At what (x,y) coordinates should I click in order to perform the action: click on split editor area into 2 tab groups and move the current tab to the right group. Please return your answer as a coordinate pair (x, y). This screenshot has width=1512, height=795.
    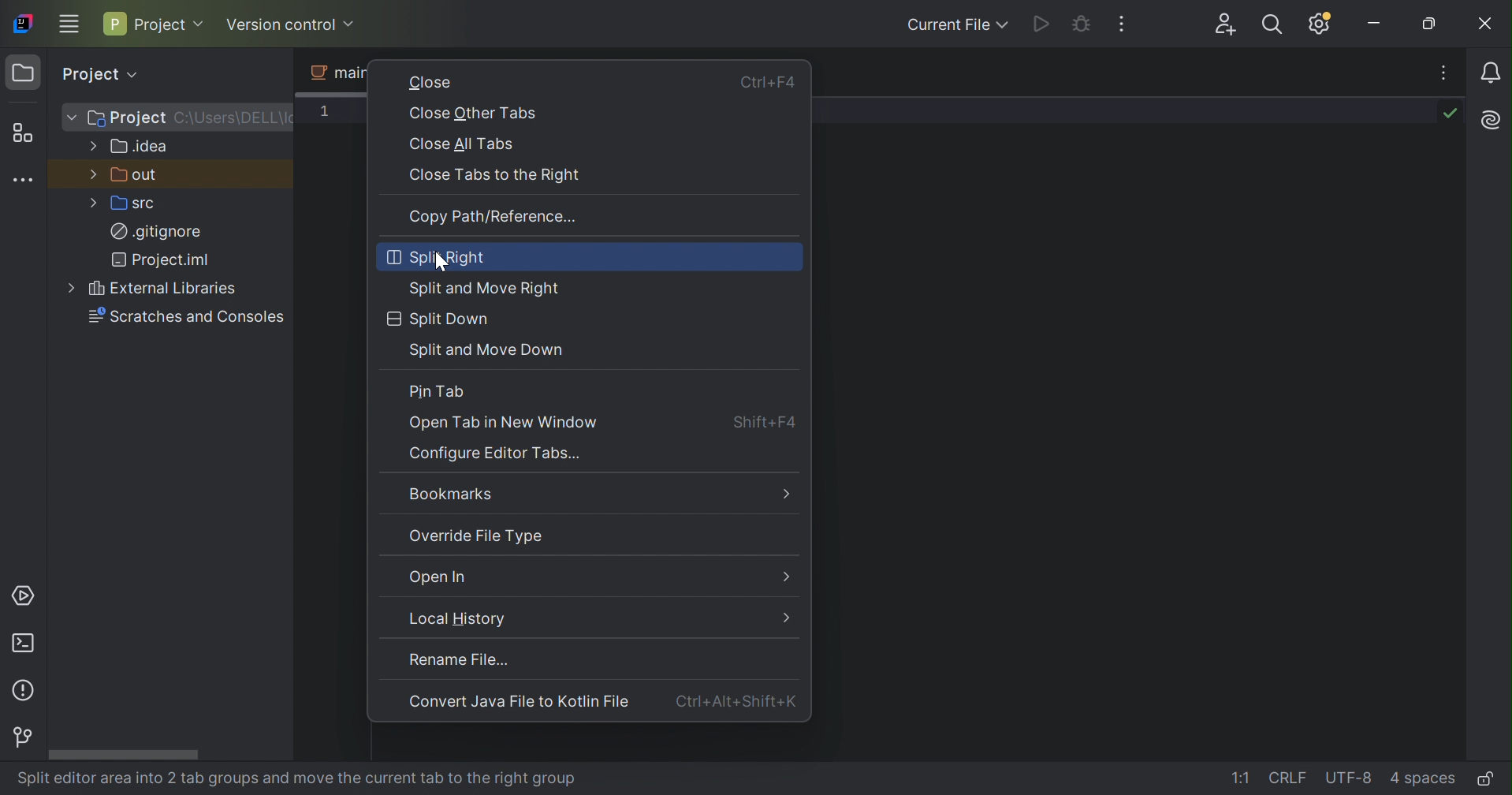
    Looking at the image, I should click on (298, 781).